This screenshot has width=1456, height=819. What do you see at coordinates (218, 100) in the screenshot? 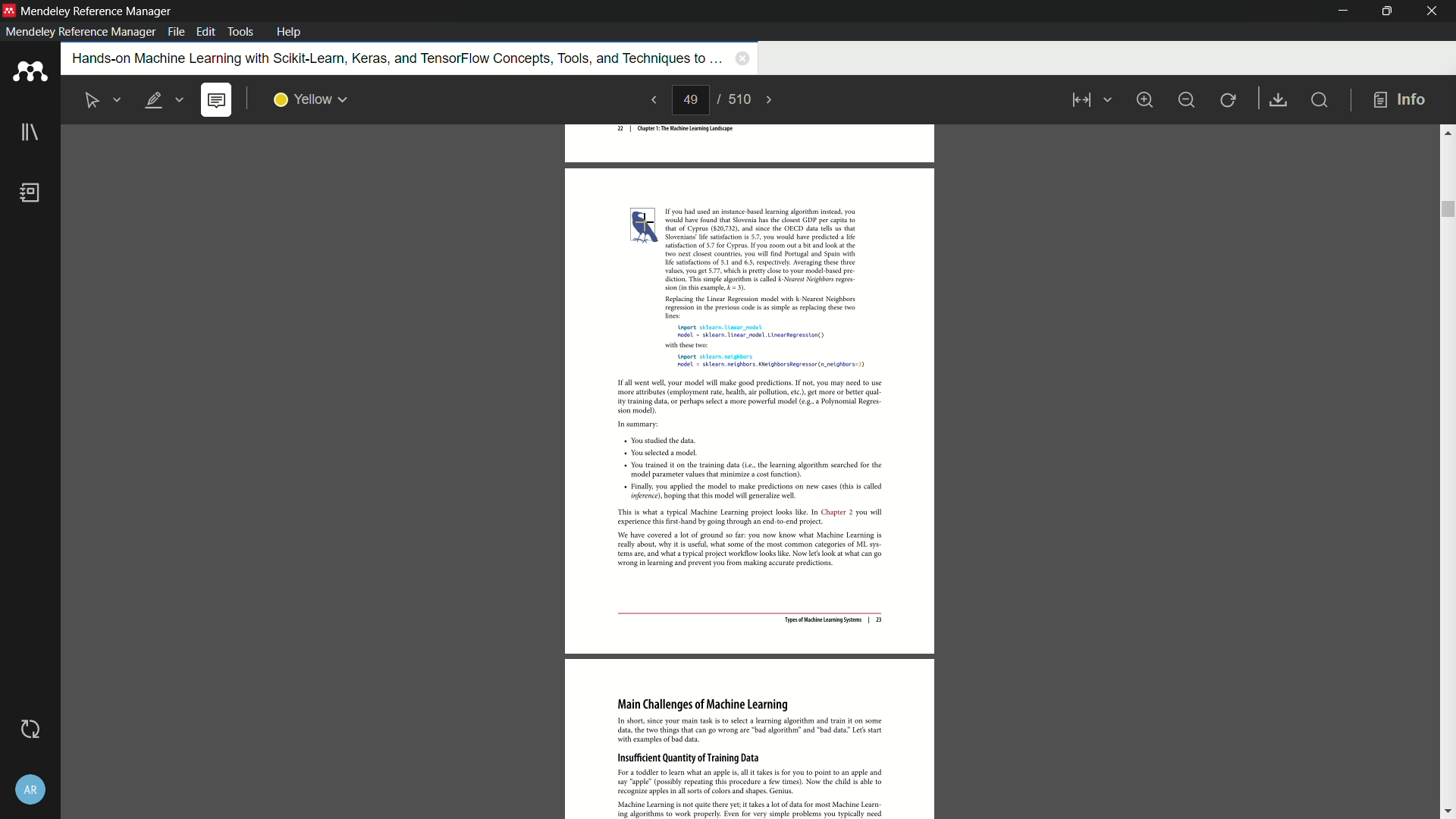
I see `note selected` at bounding box center [218, 100].